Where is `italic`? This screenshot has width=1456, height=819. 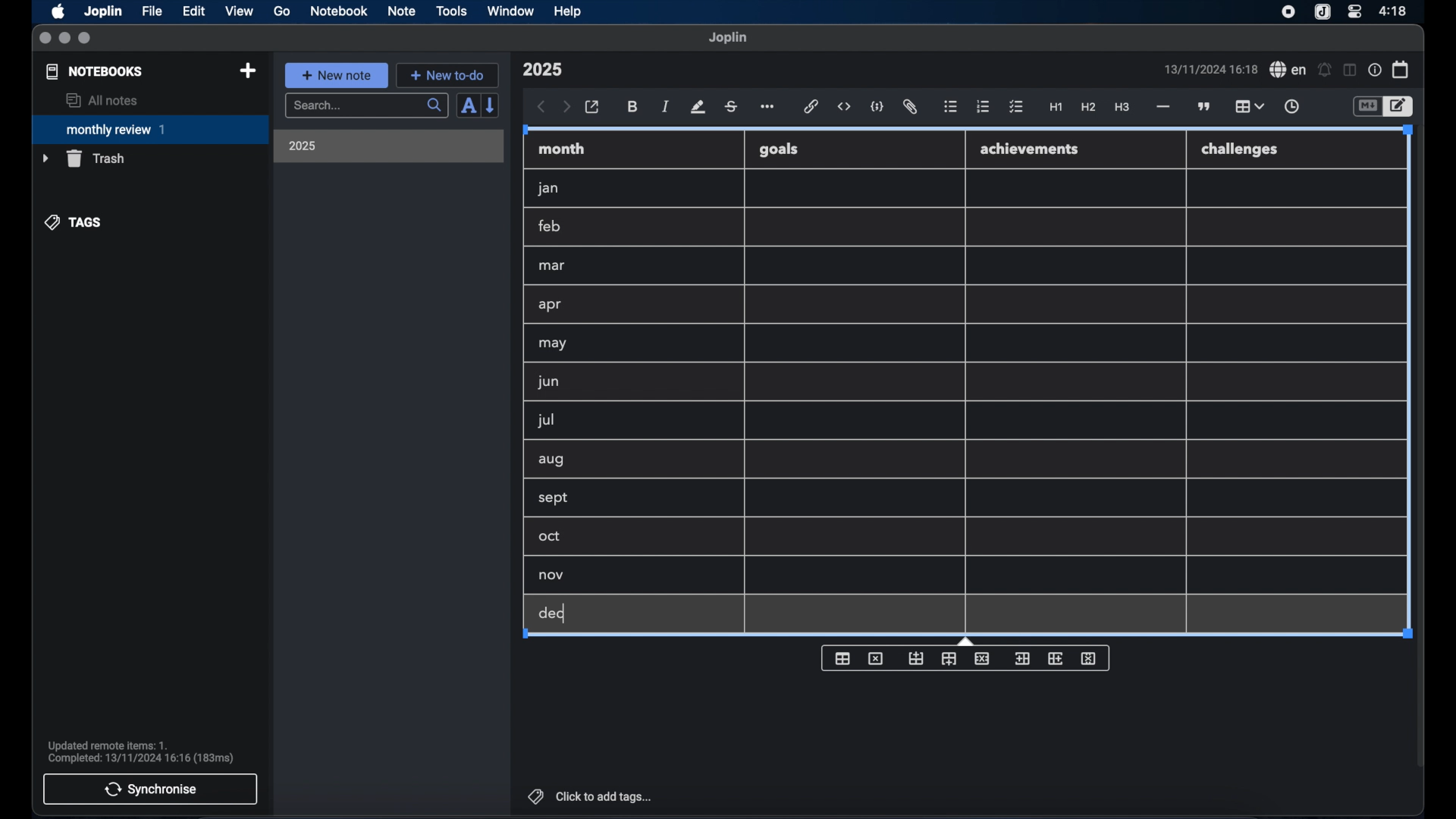 italic is located at coordinates (666, 106).